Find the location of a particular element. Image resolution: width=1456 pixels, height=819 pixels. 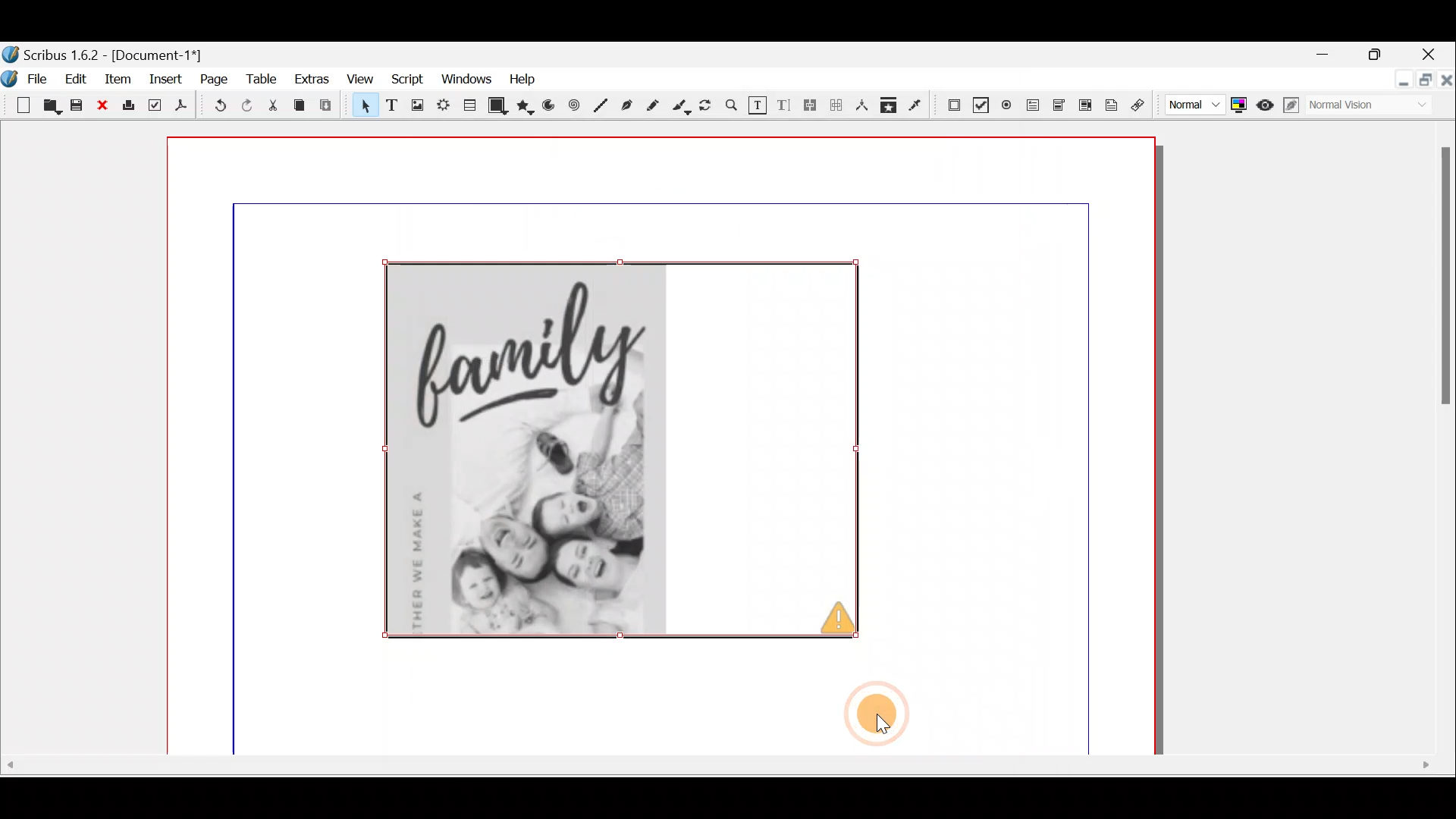

Calligraphic line is located at coordinates (681, 106).